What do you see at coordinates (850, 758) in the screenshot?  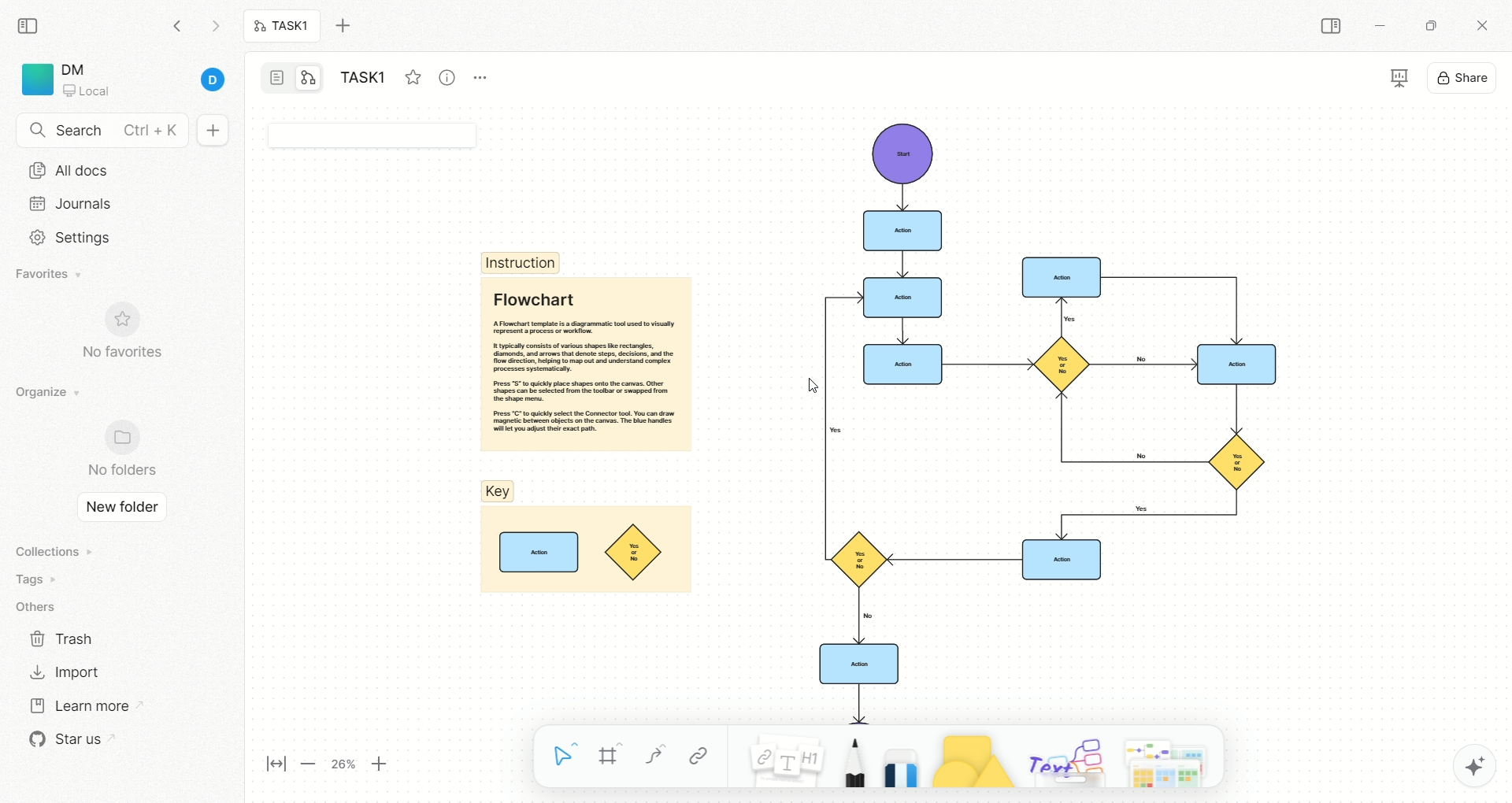 I see `pencil` at bounding box center [850, 758].